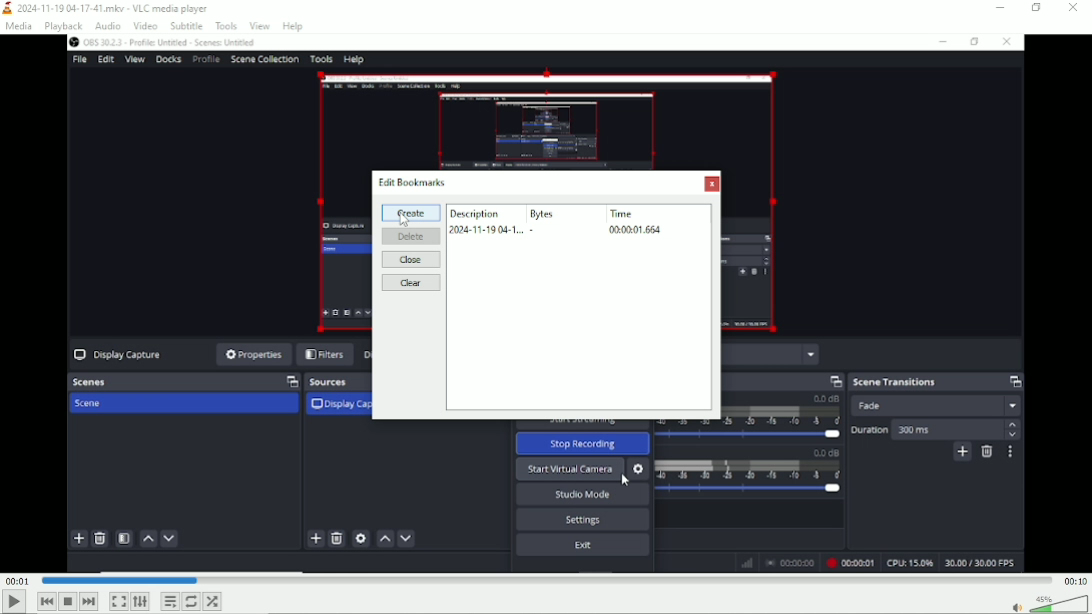  I want to click on Minimize, so click(1001, 8).